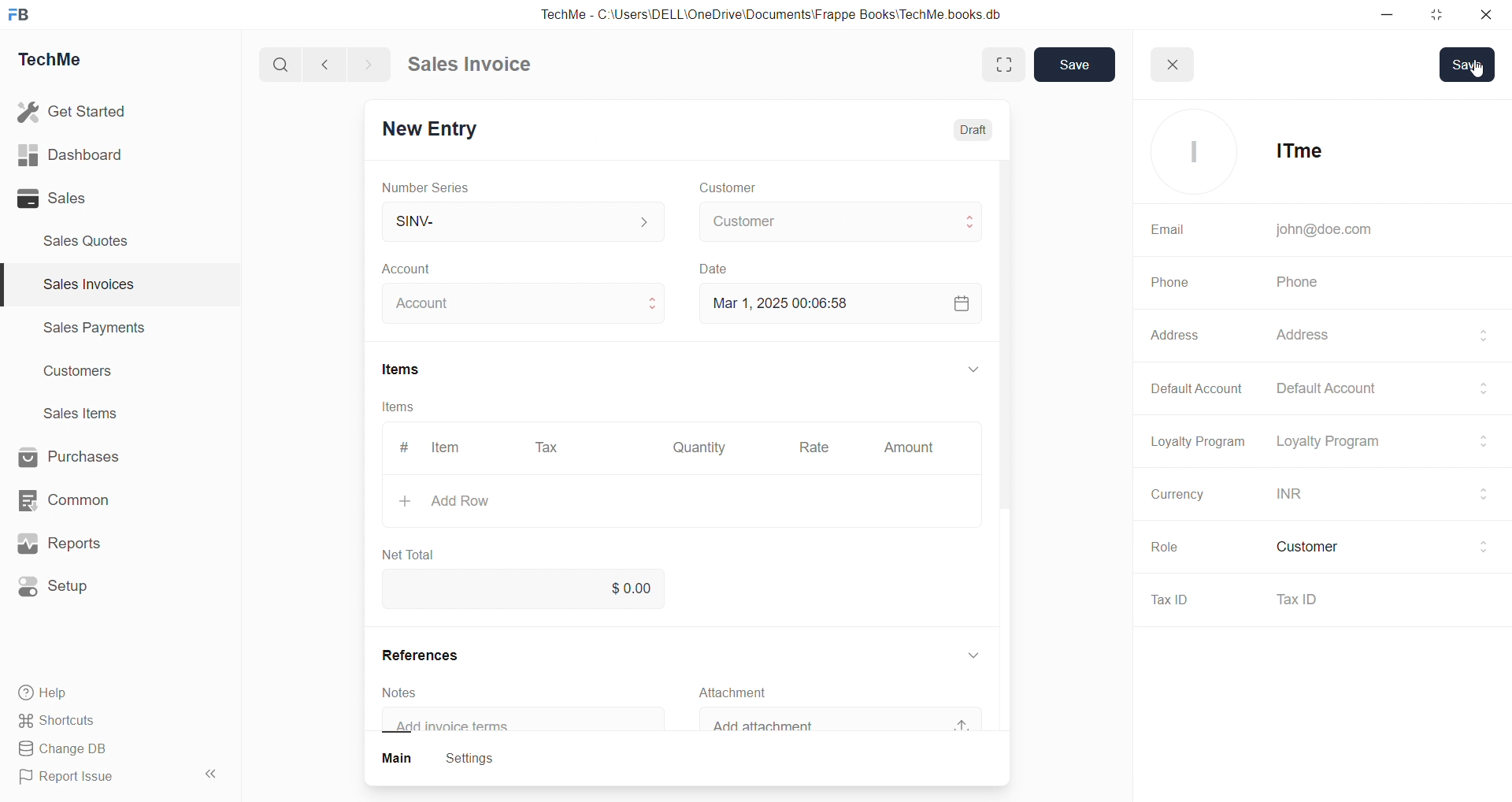 The image size is (1512, 802). I want to click on Sales Quotes, so click(92, 240).